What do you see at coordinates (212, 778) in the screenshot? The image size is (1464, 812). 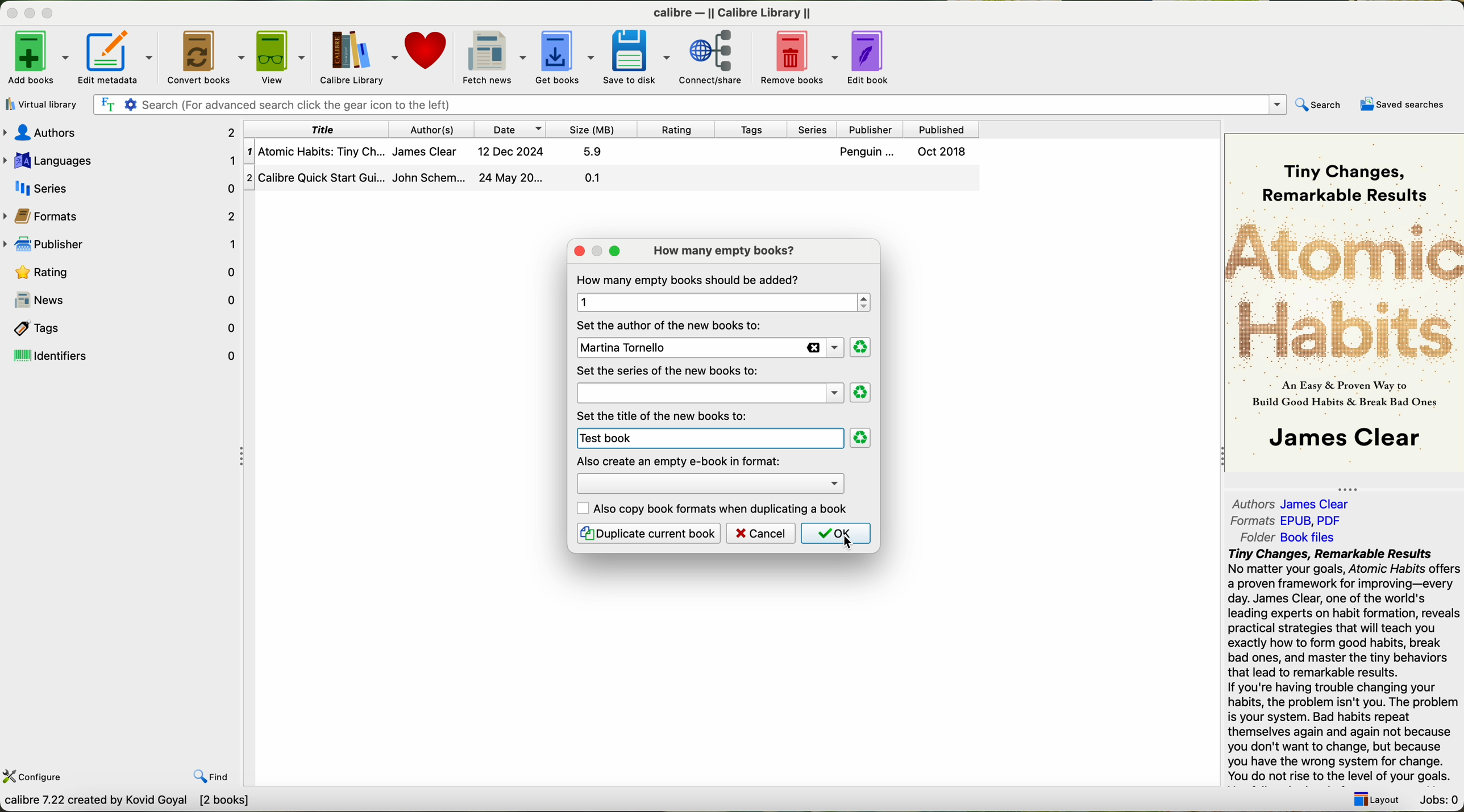 I see `find` at bounding box center [212, 778].